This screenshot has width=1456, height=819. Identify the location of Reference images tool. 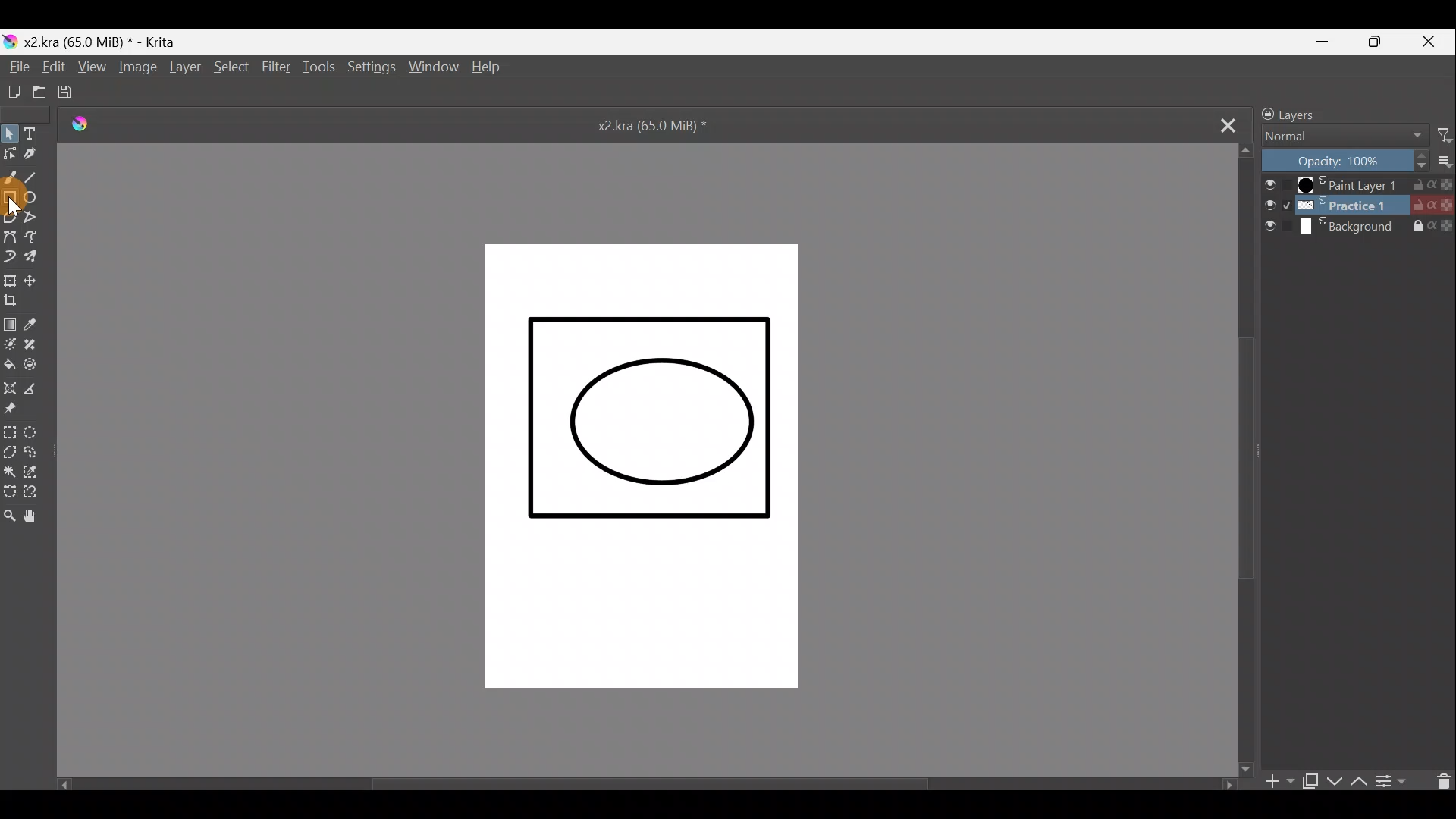
(17, 409).